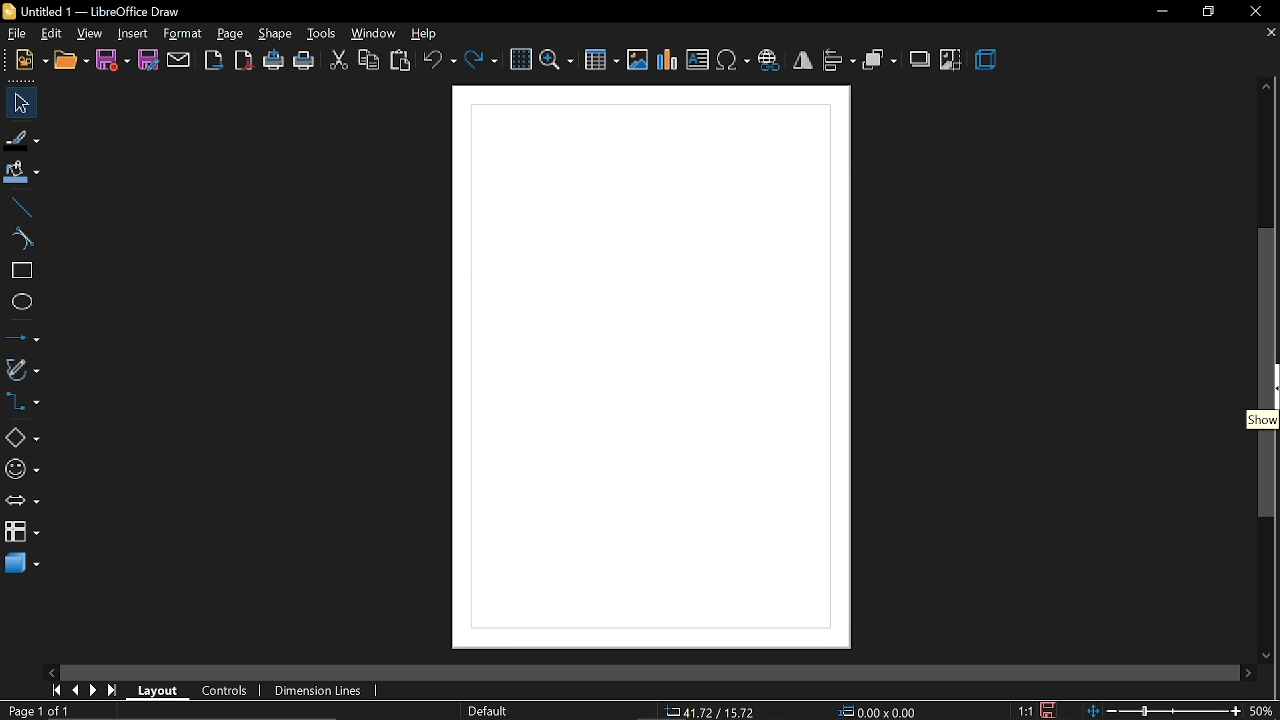  What do you see at coordinates (24, 102) in the screenshot?
I see `file` at bounding box center [24, 102].